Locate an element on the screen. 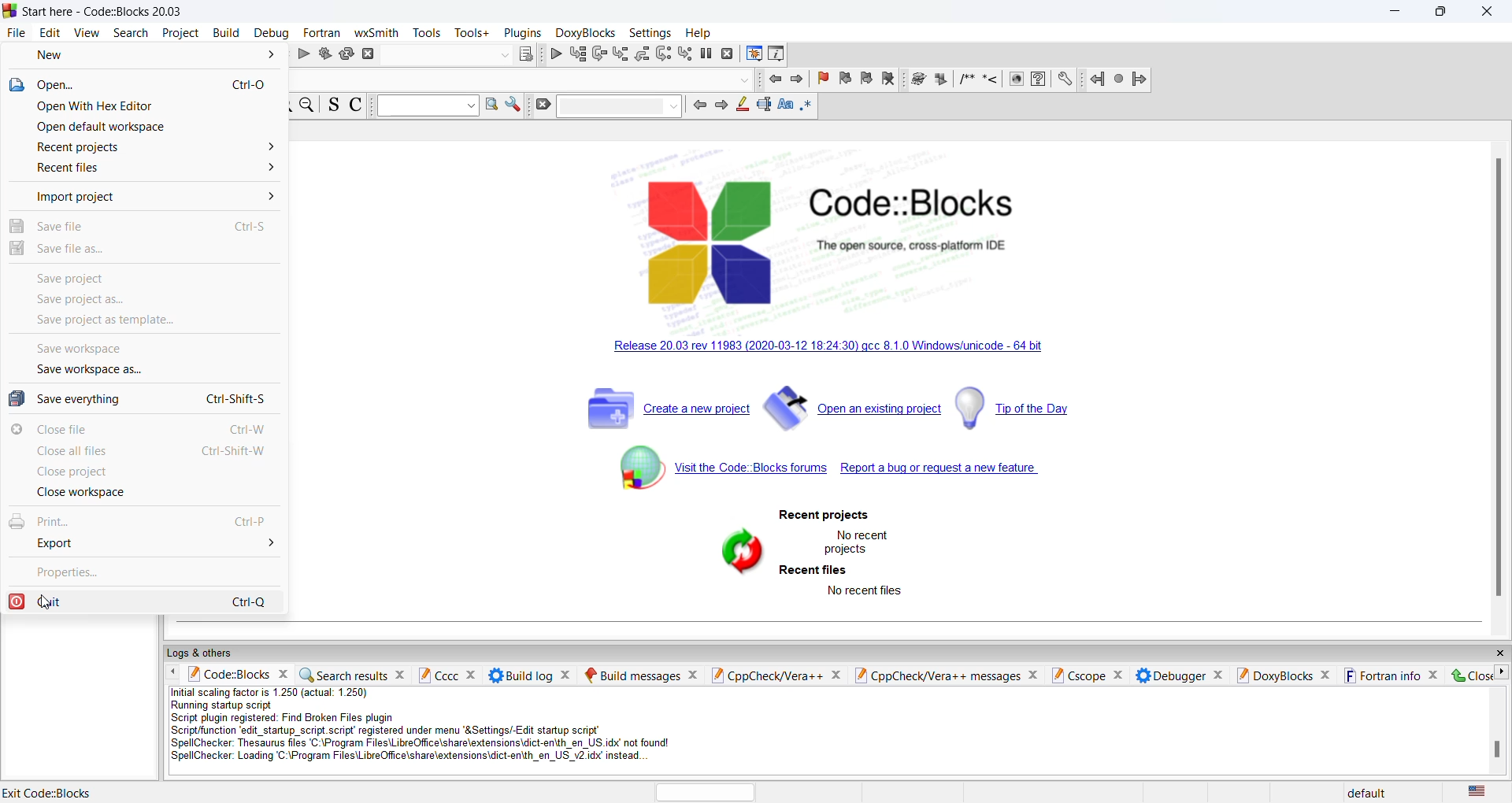  file is located at coordinates (14, 32).